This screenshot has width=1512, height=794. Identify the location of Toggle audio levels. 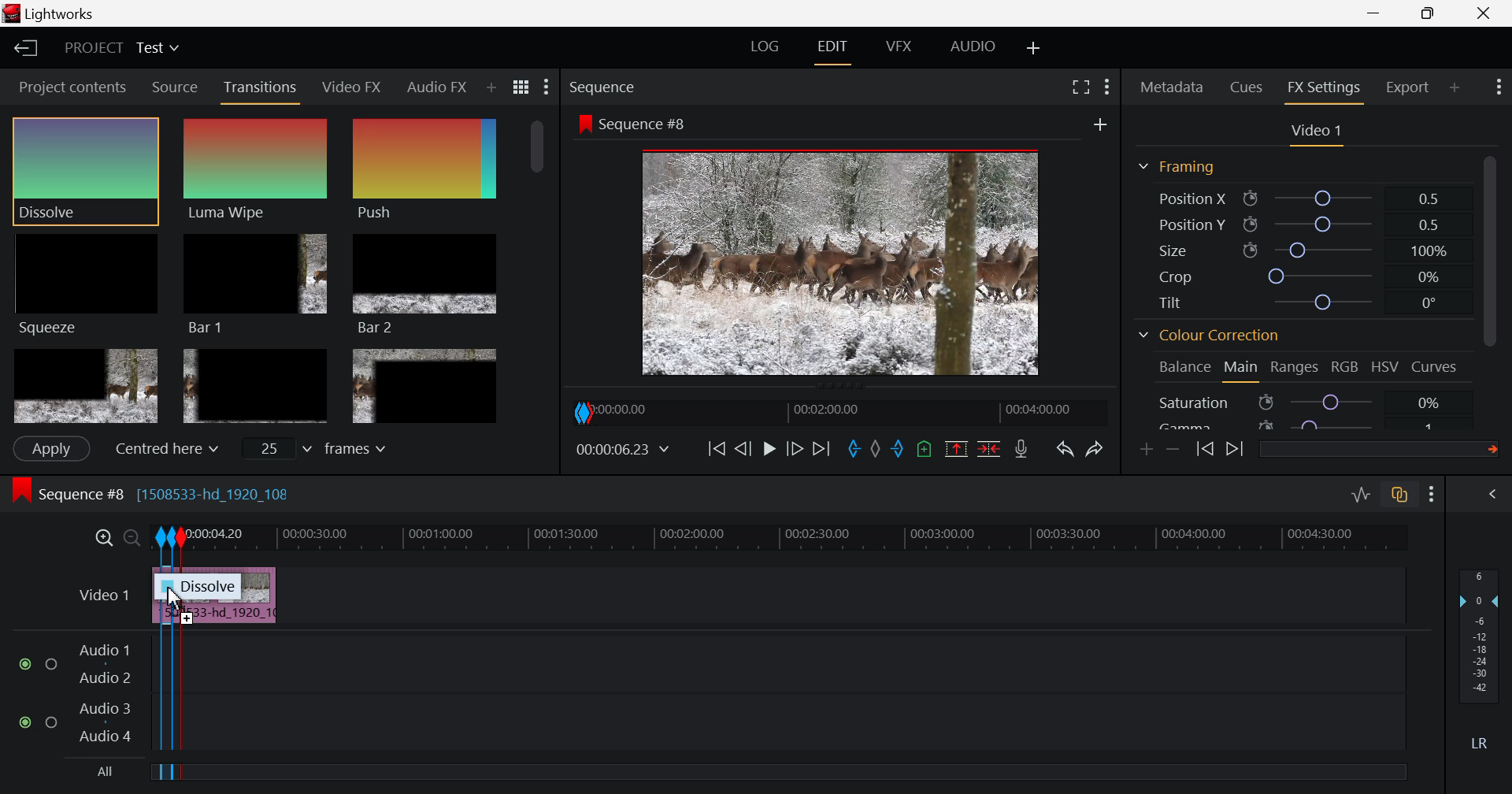
(1361, 495).